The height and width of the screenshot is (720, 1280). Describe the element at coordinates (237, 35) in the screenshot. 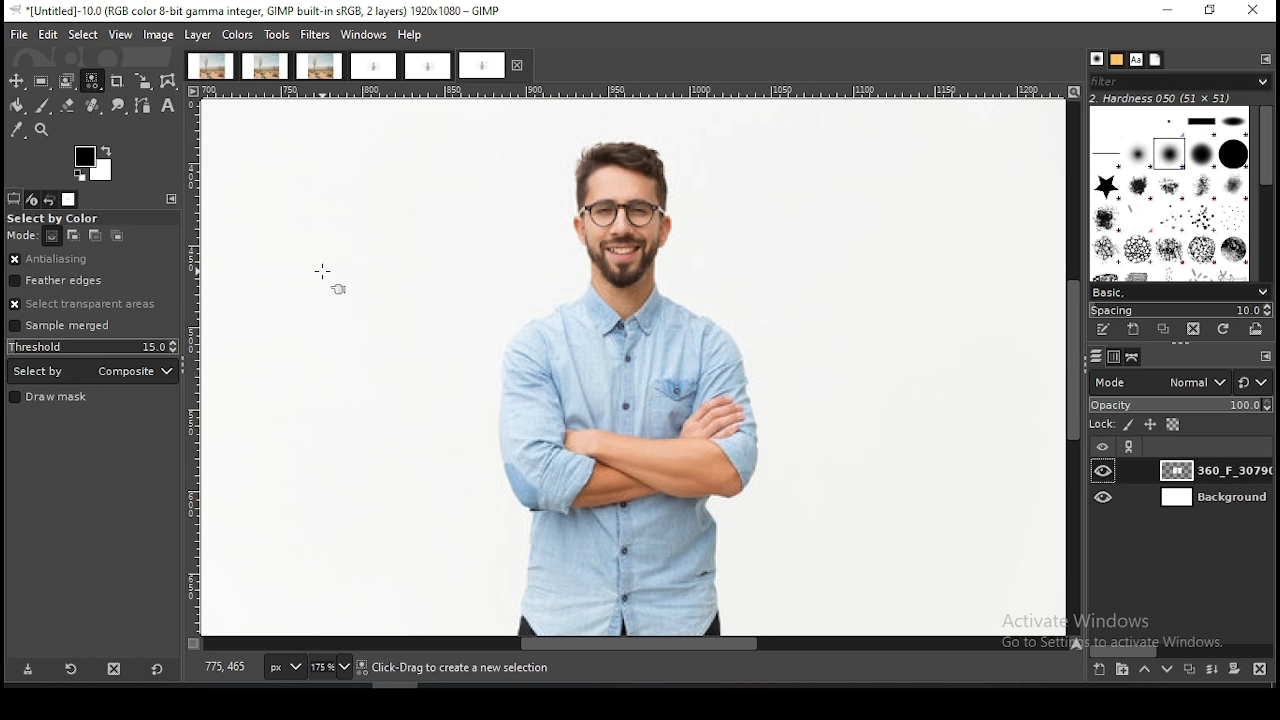

I see `colors` at that location.